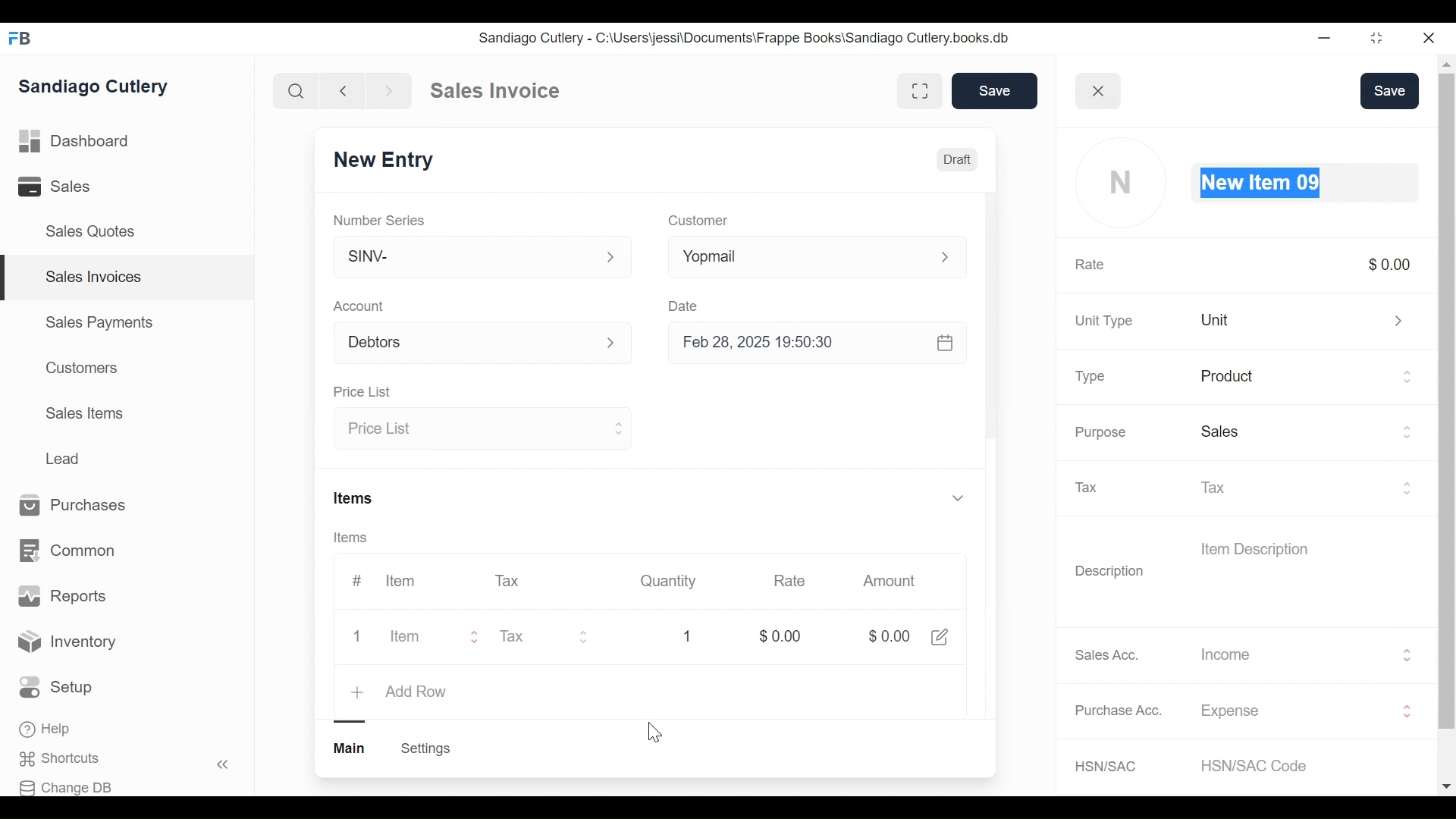 Image resolution: width=1456 pixels, height=819 pixels. I want to click on Item, so click(399, 581).